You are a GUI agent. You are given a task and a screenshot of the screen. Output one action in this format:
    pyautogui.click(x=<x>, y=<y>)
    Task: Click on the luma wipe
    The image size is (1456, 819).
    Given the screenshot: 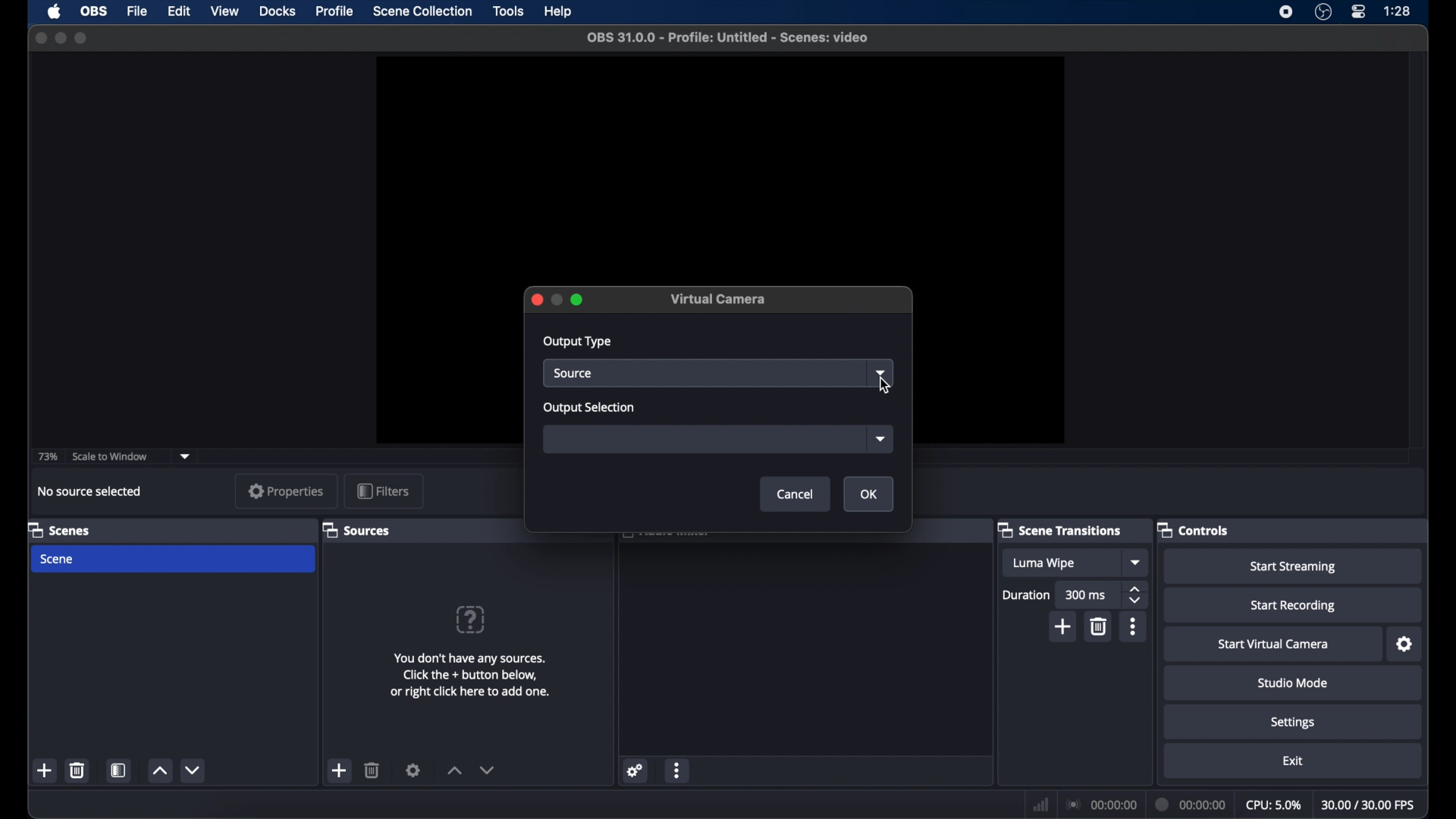 What is the action you would take?
    pyautogui.click(x=1062, y=563)
    